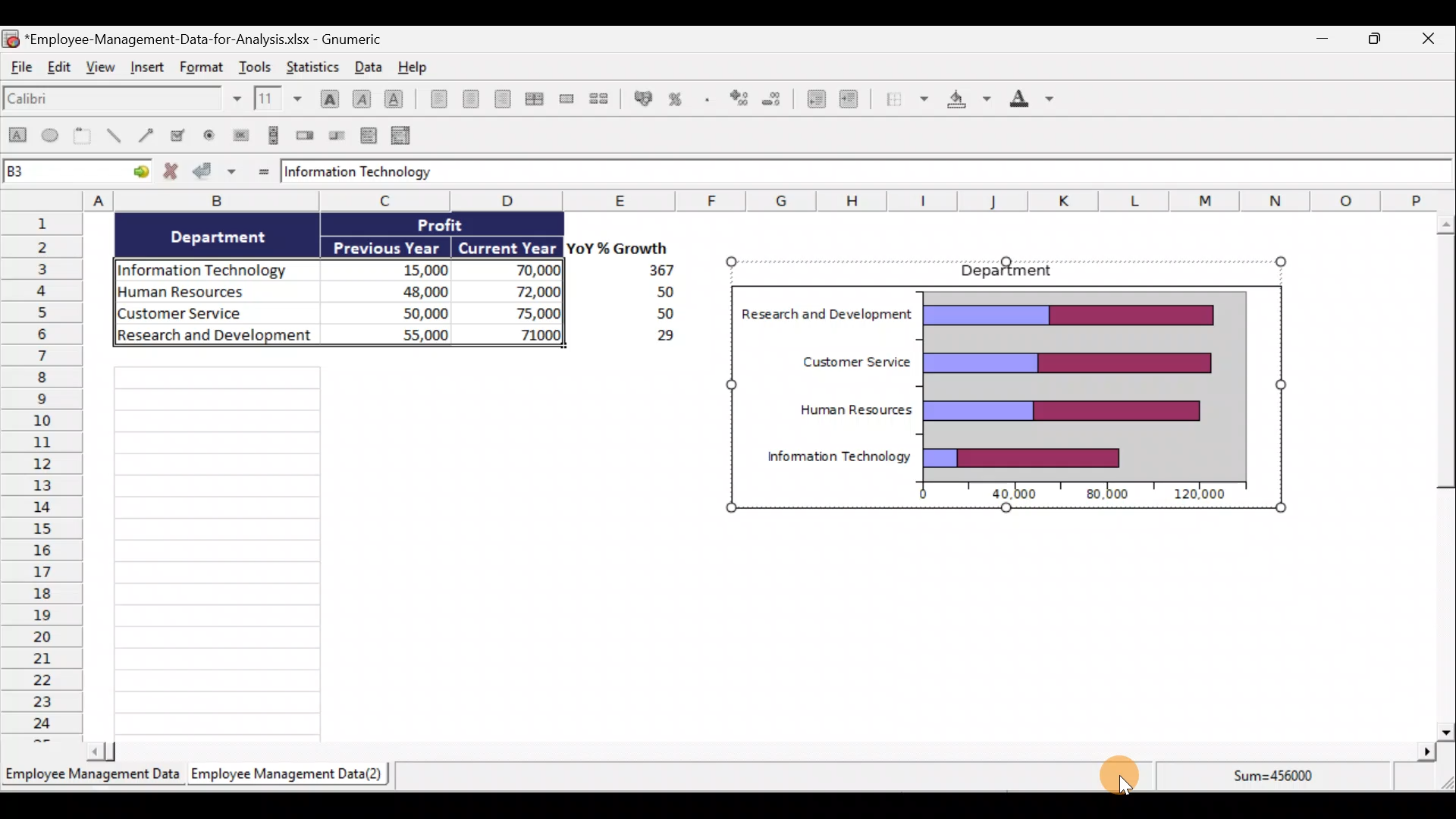 The image size is (1456, 819). What do you see at coordinates (113, 137) in the screenshot?
I see `Create a line object` at bounding box center [113, 137].